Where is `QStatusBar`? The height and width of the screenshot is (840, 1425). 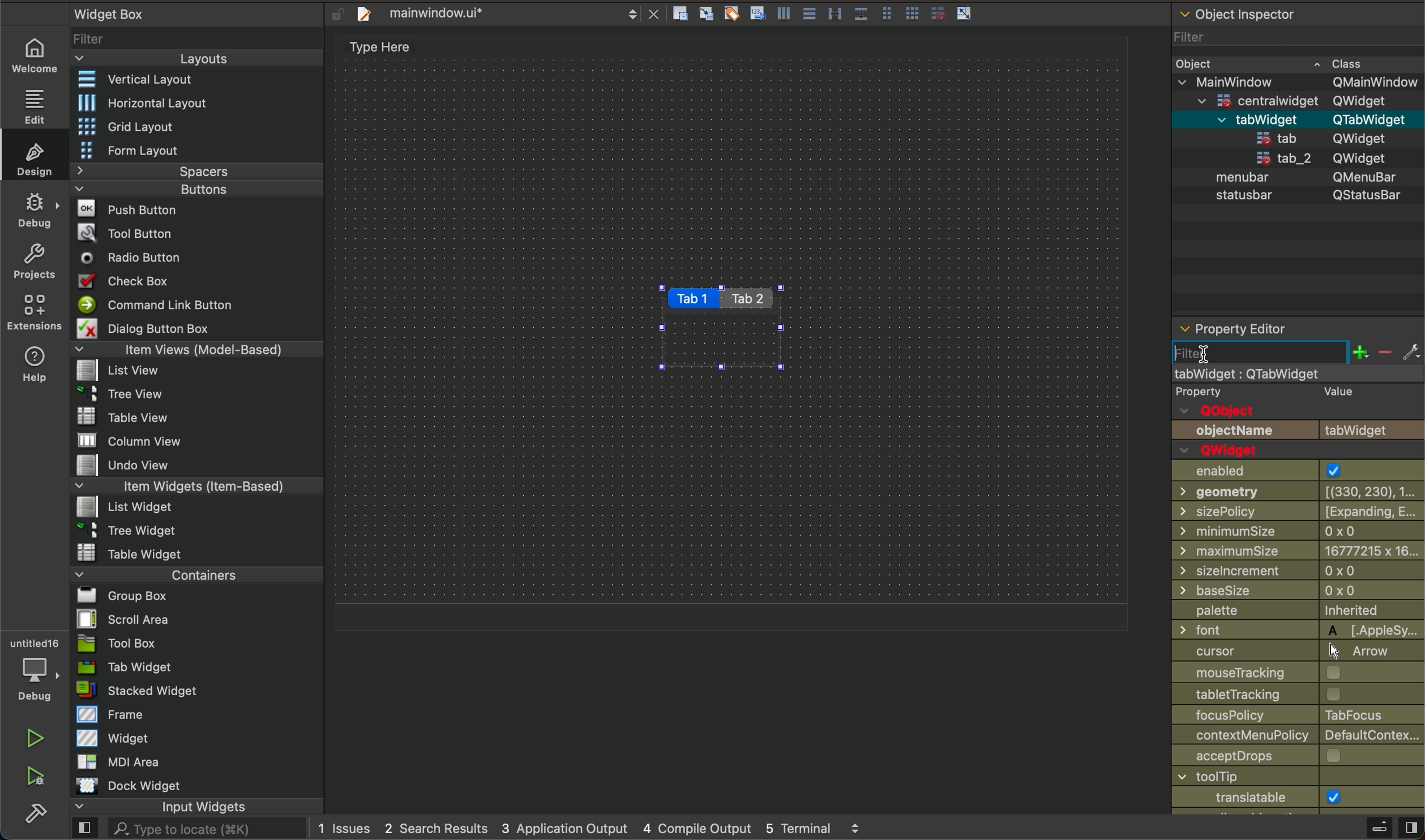 QStatusBar is located at coordinates (1356, 195).